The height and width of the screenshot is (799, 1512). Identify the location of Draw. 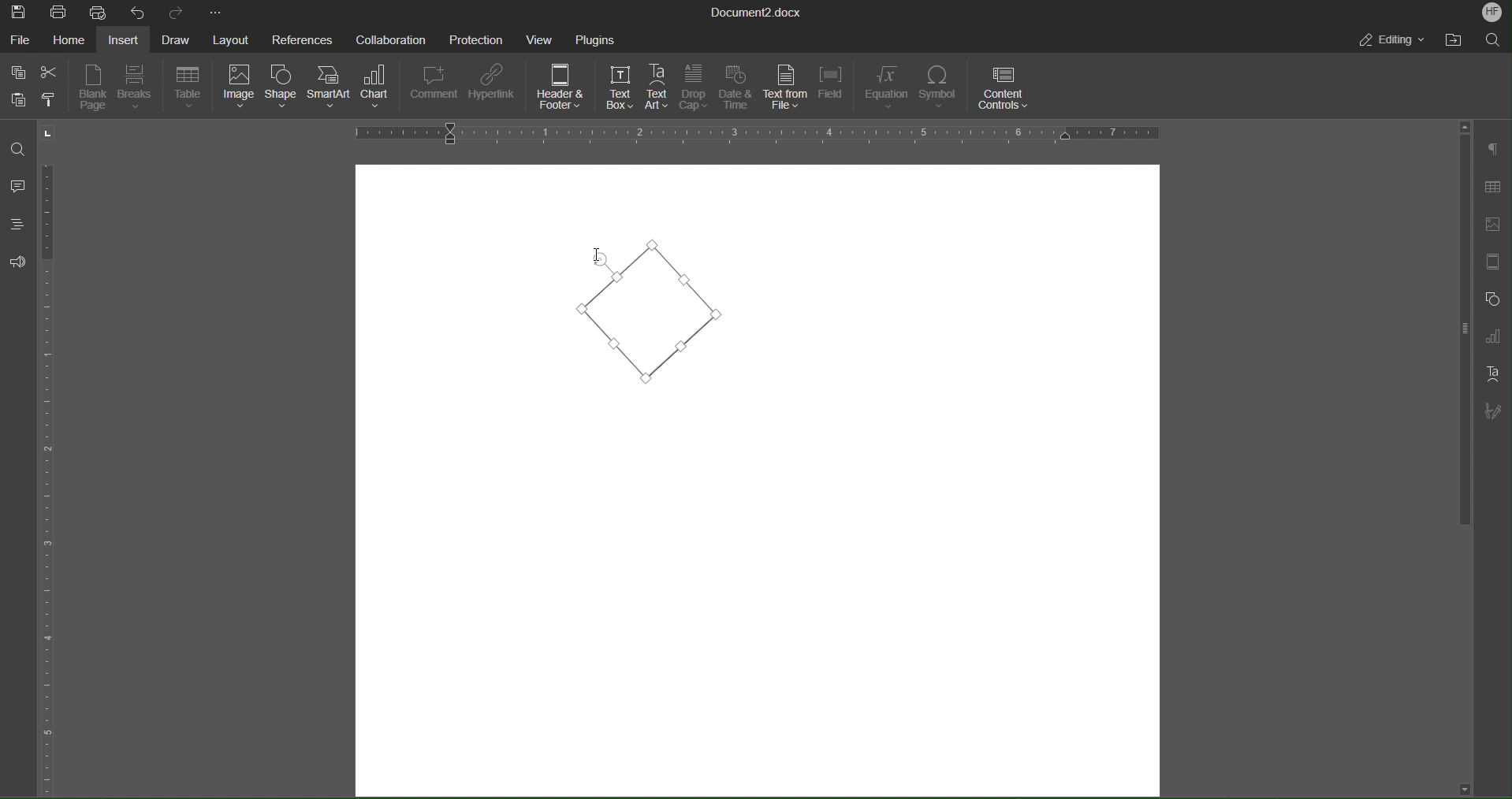
(174, 38).